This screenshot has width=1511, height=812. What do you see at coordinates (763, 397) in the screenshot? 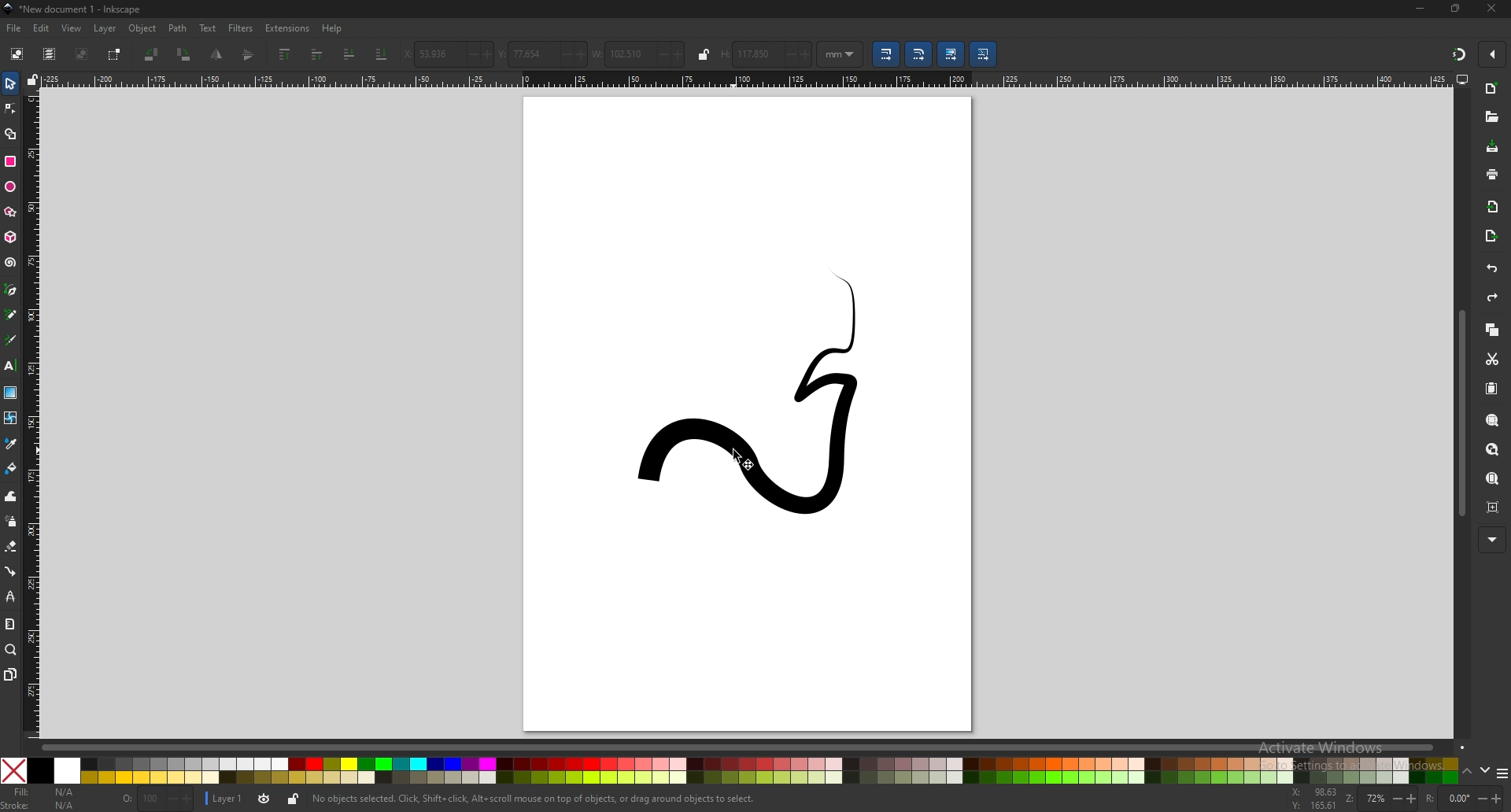
I see `path` at bounding box center [763, 397].